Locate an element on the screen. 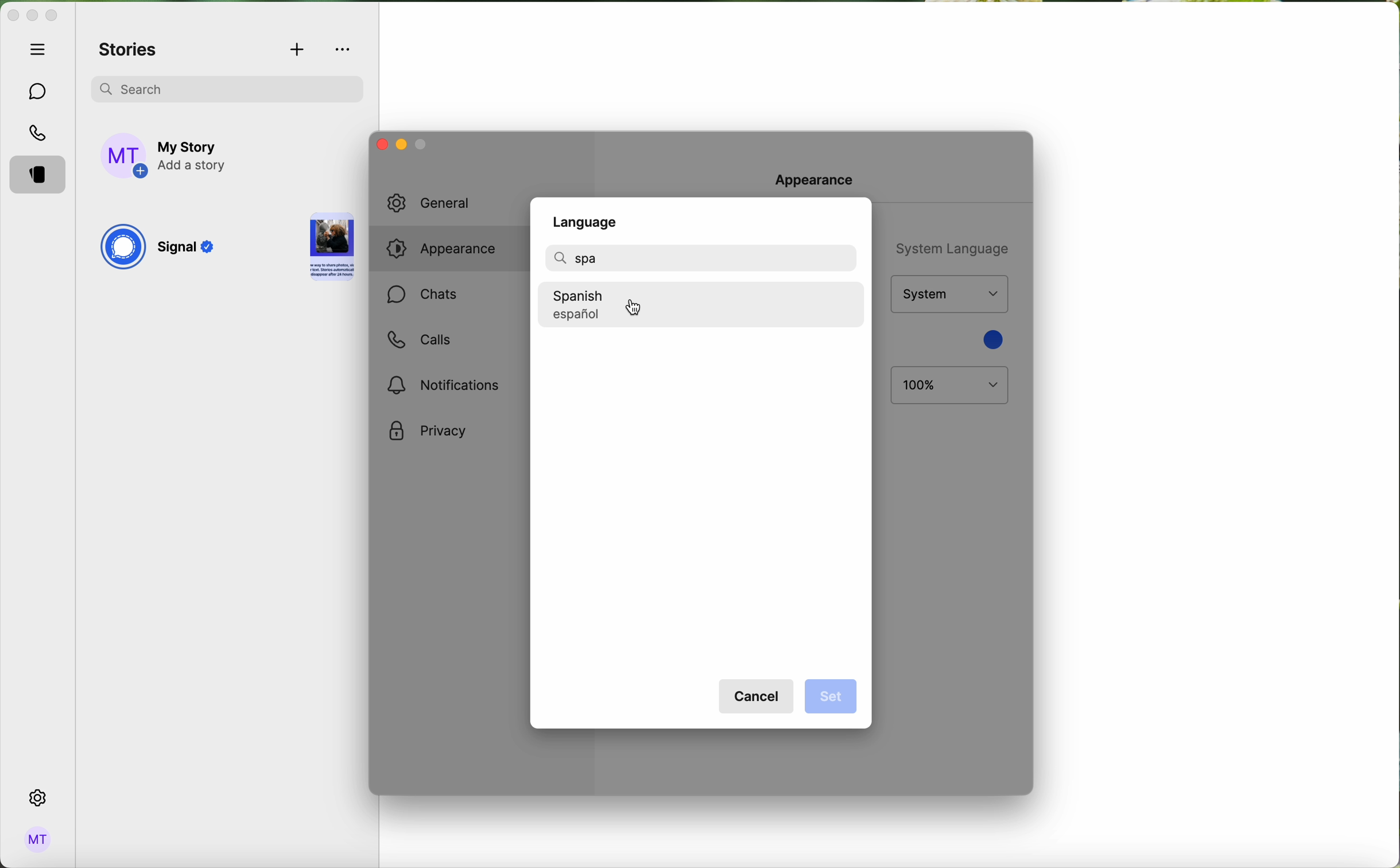 Image resolution: width=1400 pixels, height=868 pixels. add is located at coordinates (298, 51).